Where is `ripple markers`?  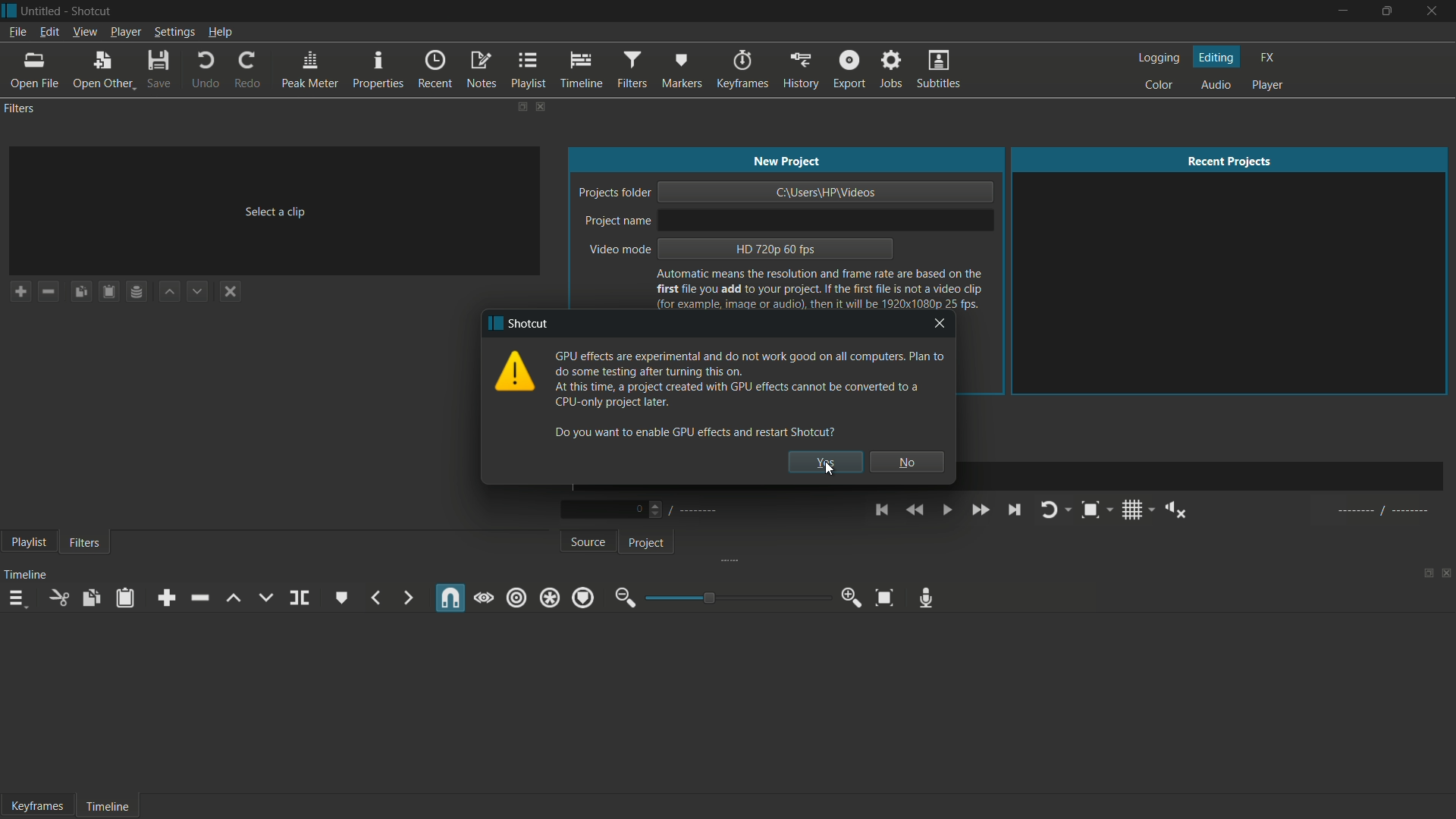
ripple markers is located at coordinates (584, 598).